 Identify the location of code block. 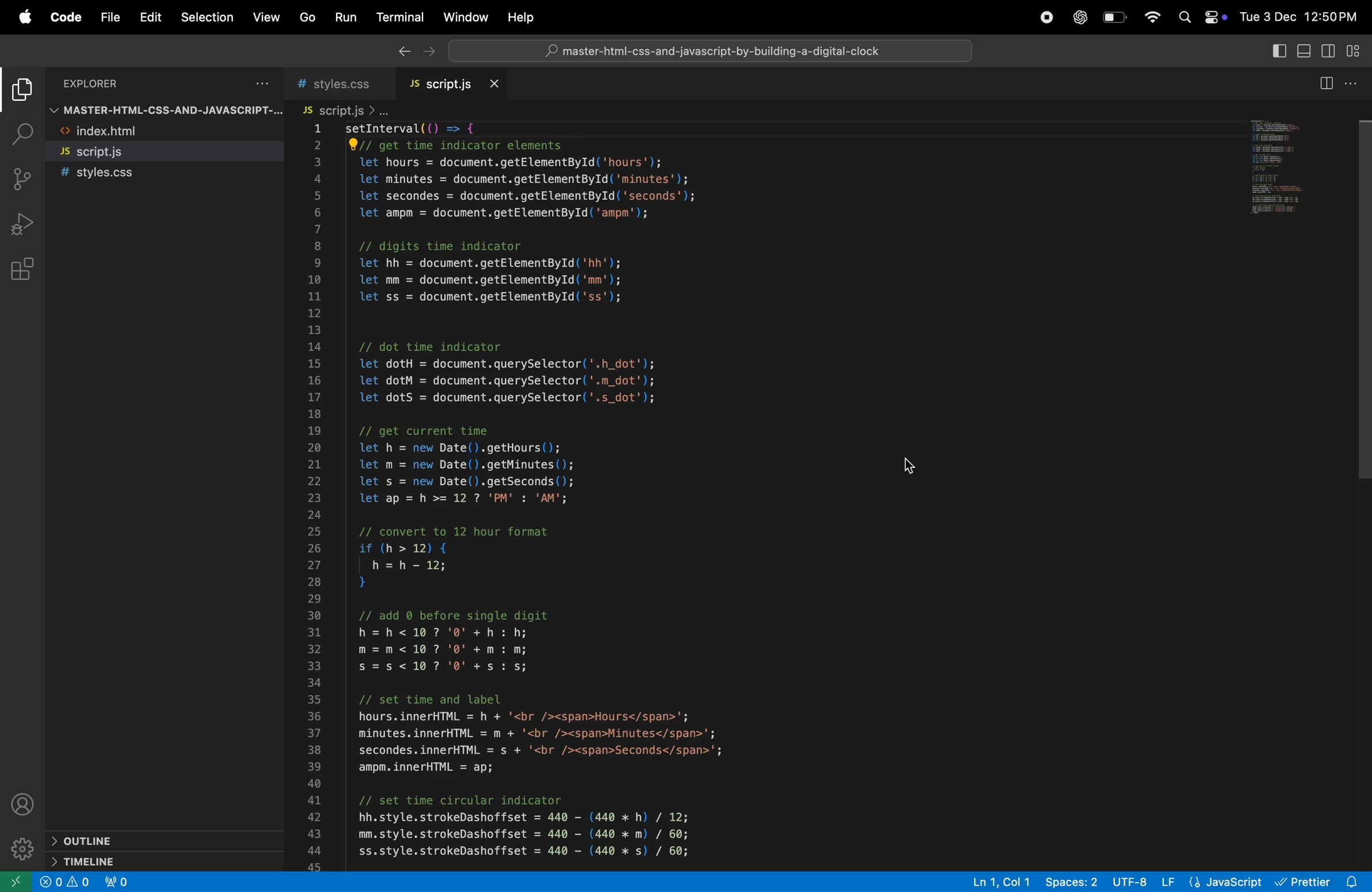
(735, 496).